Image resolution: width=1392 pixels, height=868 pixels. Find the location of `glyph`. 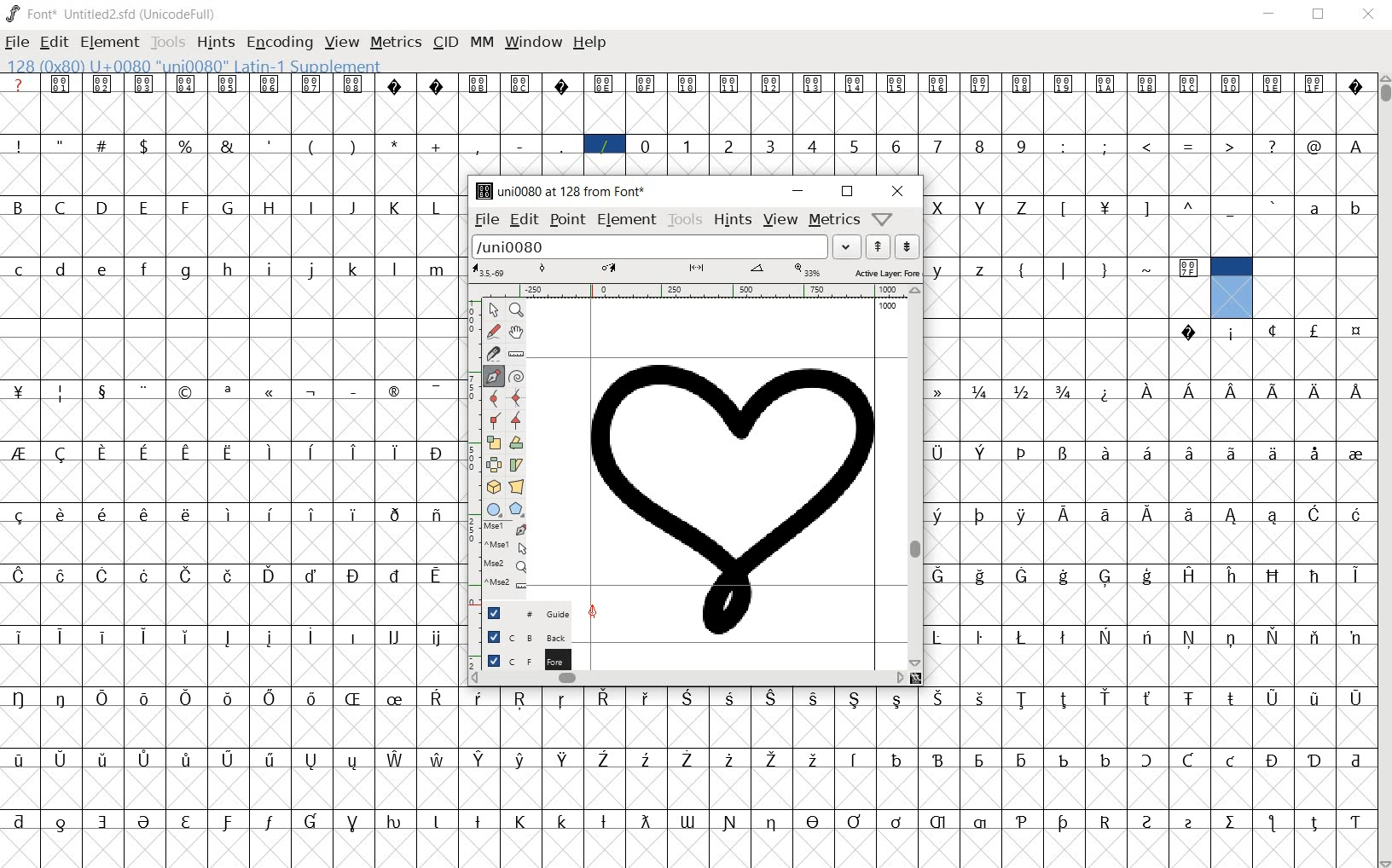

glyph is located at coordinates (645, 146).